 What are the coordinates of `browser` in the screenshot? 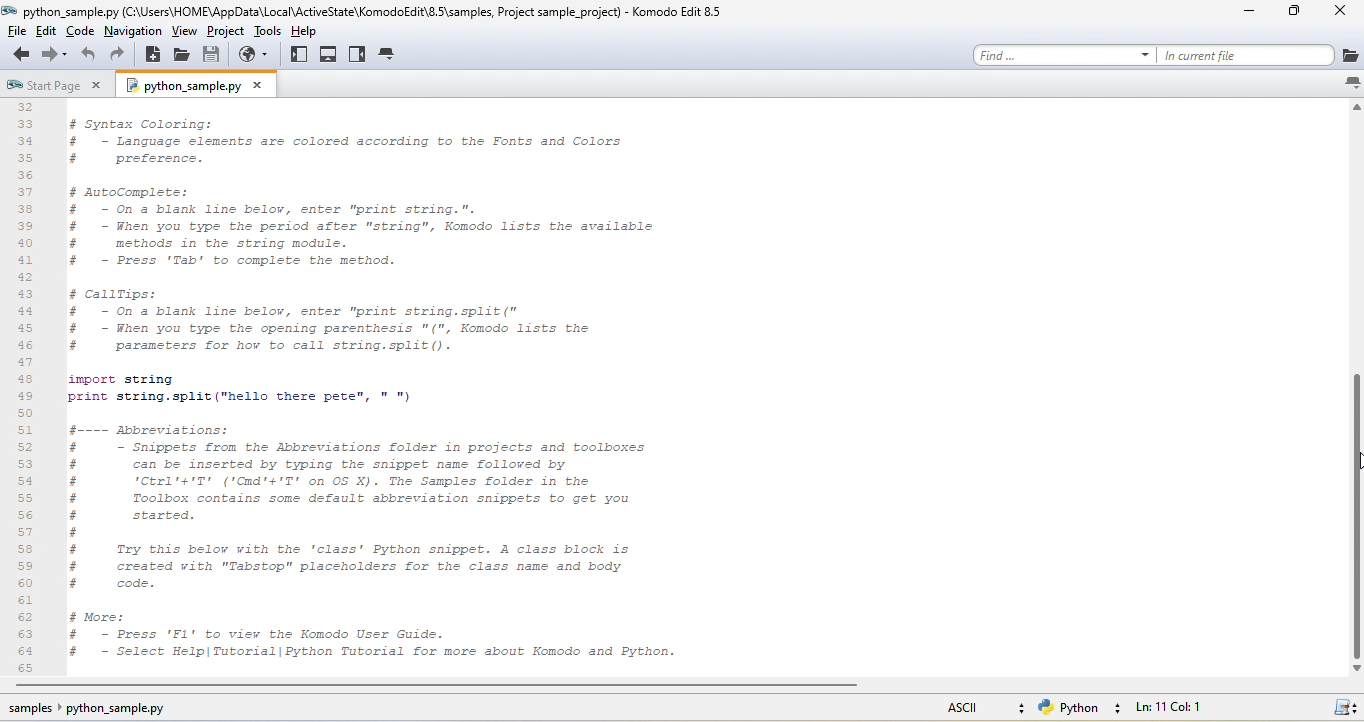 It's located at (257, 57).